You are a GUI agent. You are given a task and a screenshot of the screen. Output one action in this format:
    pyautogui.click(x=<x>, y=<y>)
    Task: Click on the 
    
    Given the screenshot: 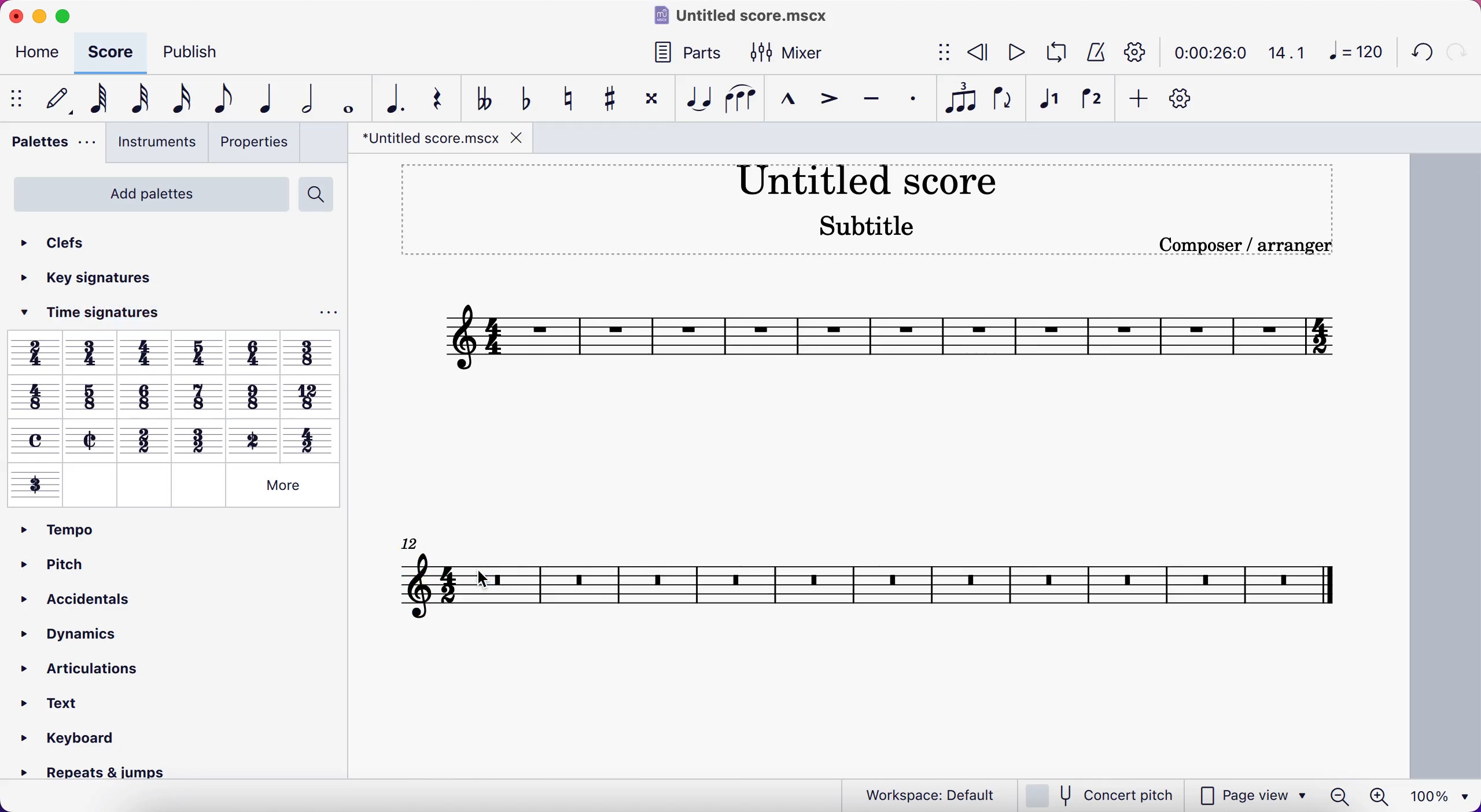 What is the action you would take?
    pyautogui.click(x=311, y=352)
    